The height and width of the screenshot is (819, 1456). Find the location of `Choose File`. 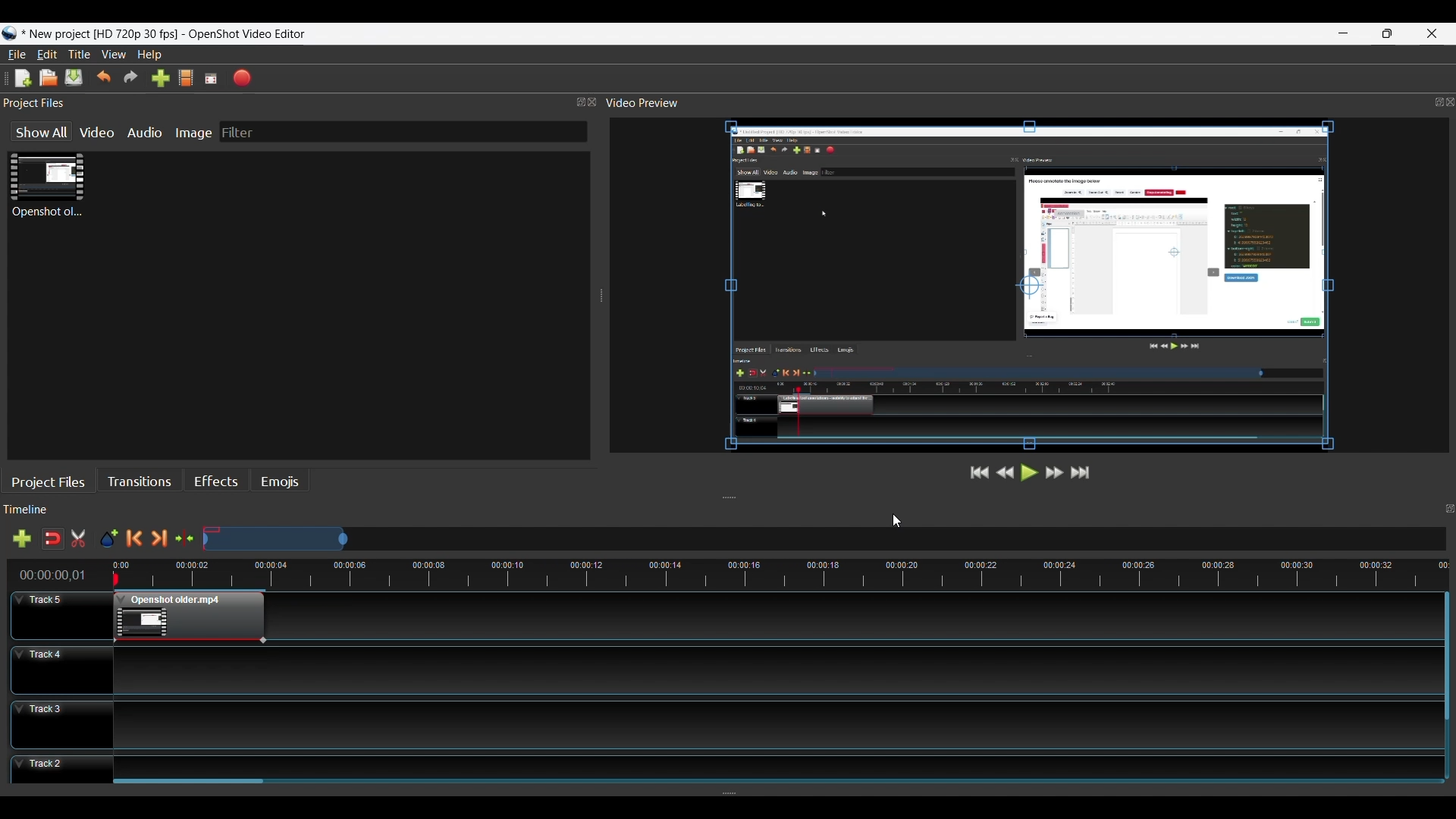

Choose File is located at coordinates (189, 79).